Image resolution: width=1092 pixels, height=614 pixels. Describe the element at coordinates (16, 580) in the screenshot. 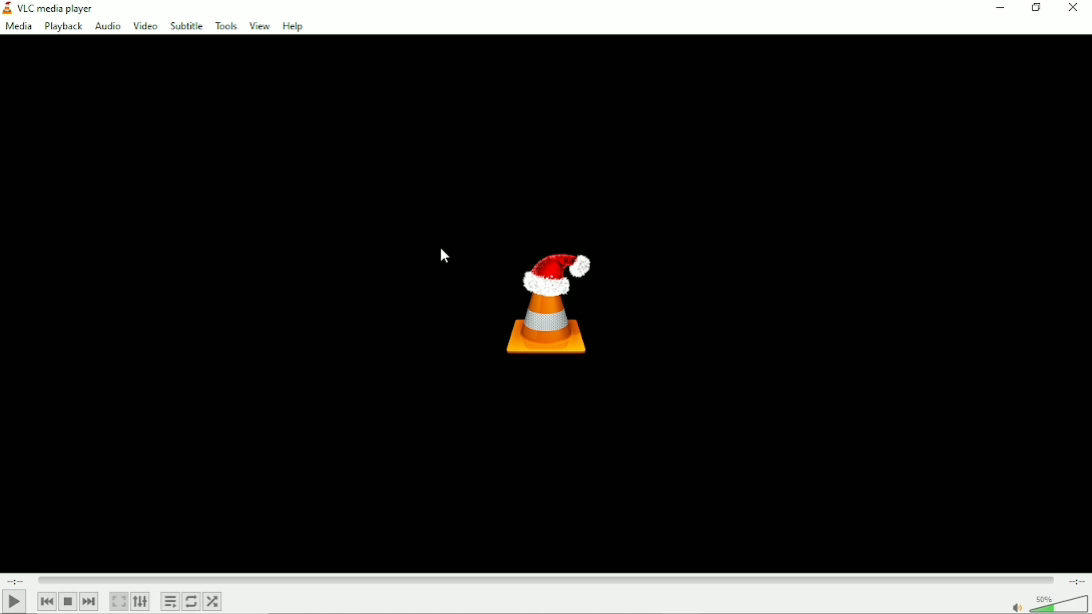

I see `Elapsed time` at that location.